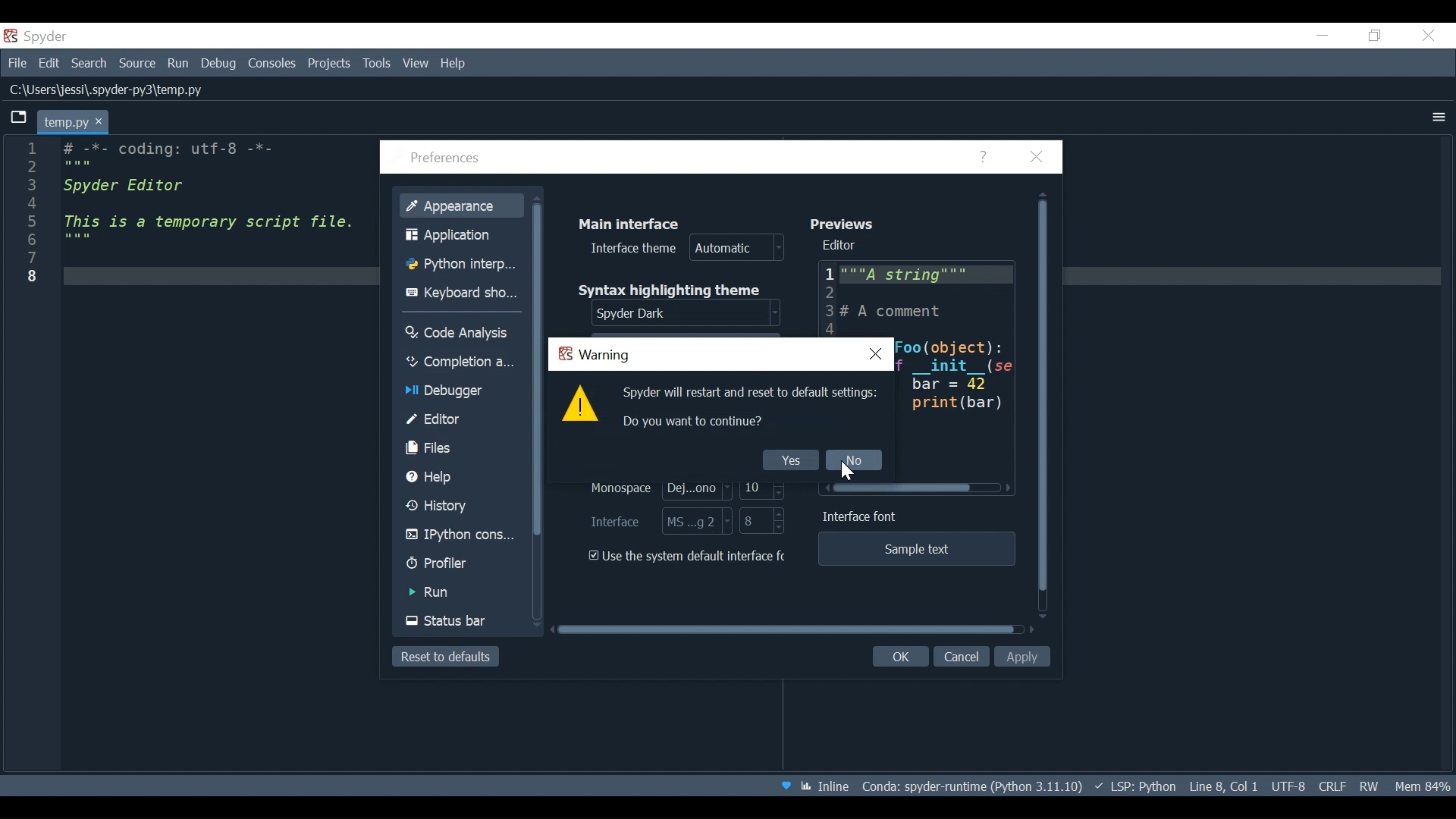 The height and width of the screenshot is (819, 1456). I want to click on Do you want to continue, so click(695, 422).